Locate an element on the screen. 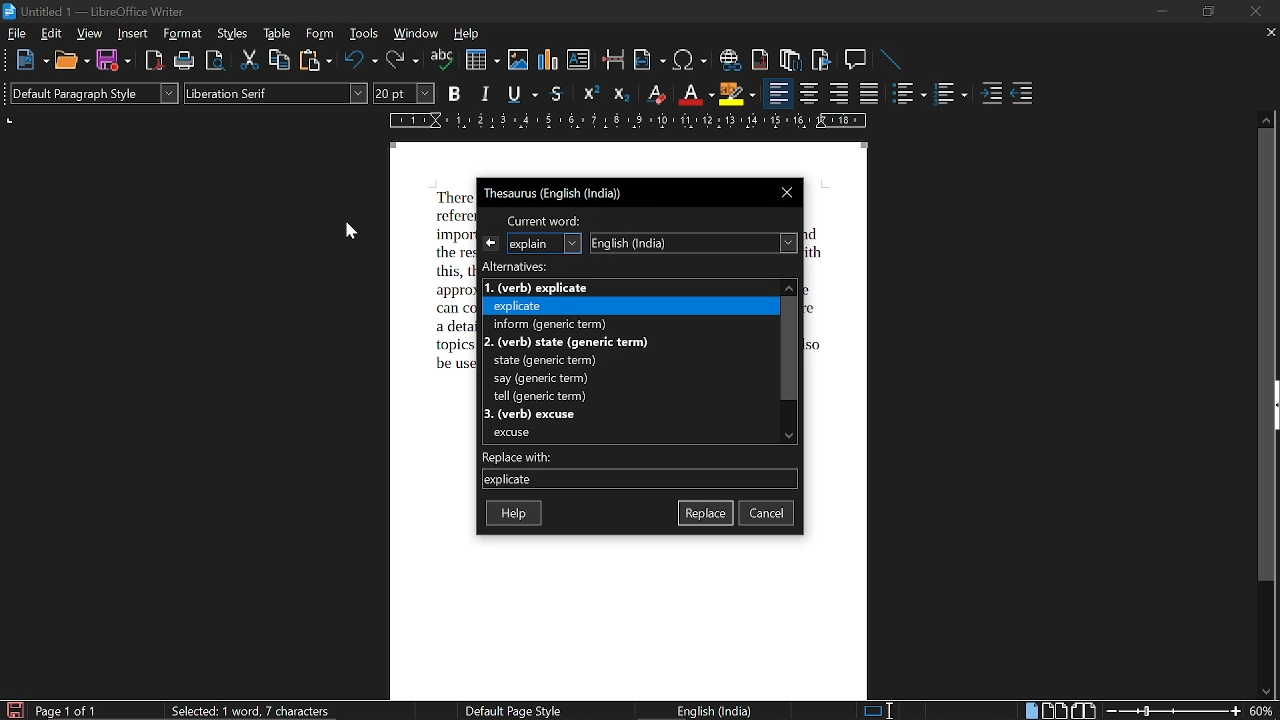 The width and height of the screenshot is (1280, 720). insert hyperlink is located at coordinates (730, 59).